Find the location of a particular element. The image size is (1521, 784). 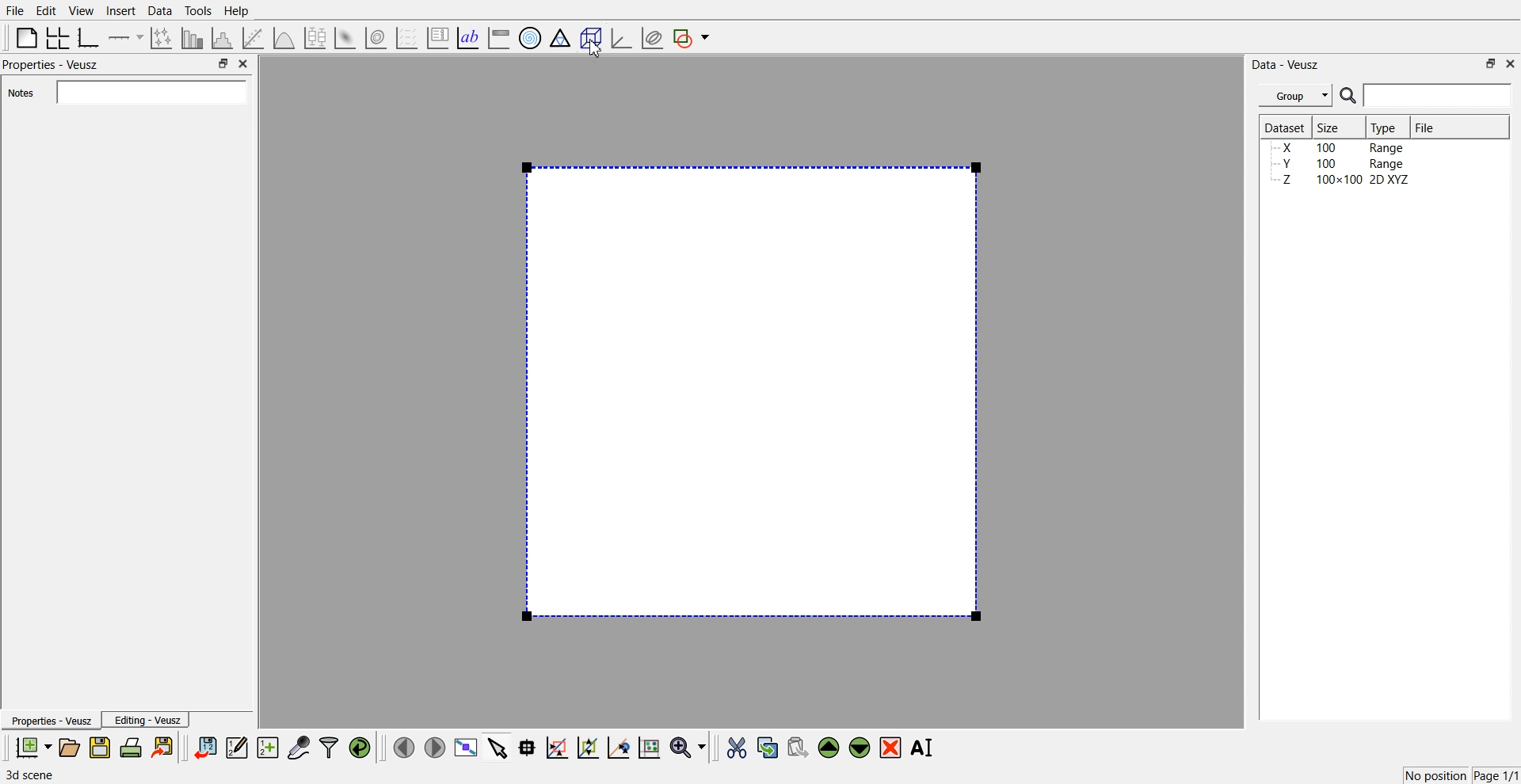

Ternary Graph is located at coordinates (560, 37).